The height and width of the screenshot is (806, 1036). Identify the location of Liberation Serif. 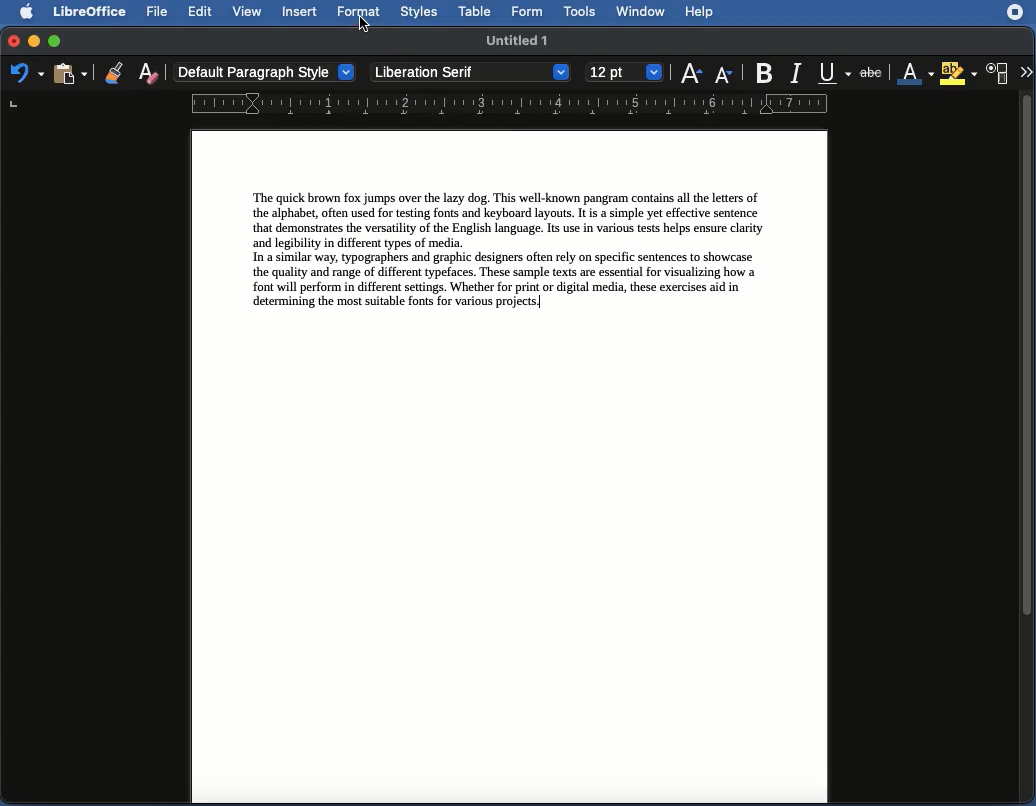
(470, 73).